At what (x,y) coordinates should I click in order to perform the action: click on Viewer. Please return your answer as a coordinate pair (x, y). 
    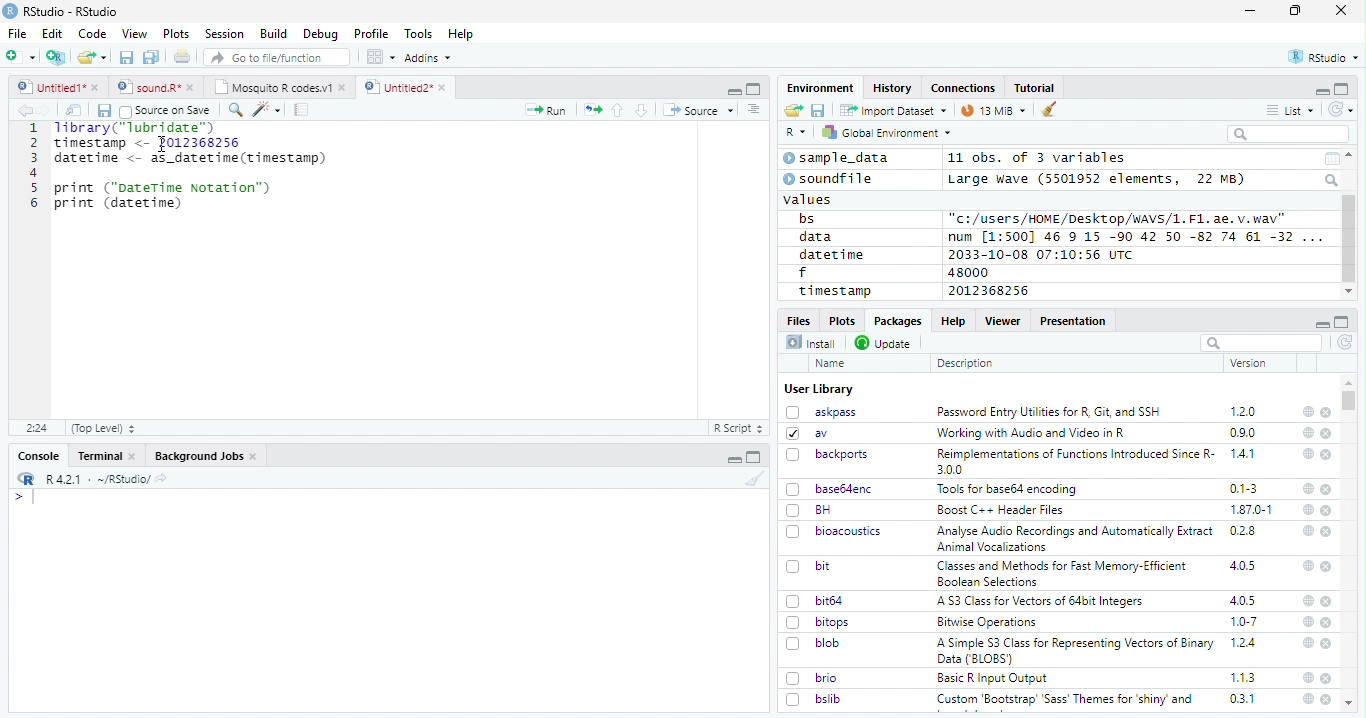
    Looking at the image, I should click on (1003, 320).